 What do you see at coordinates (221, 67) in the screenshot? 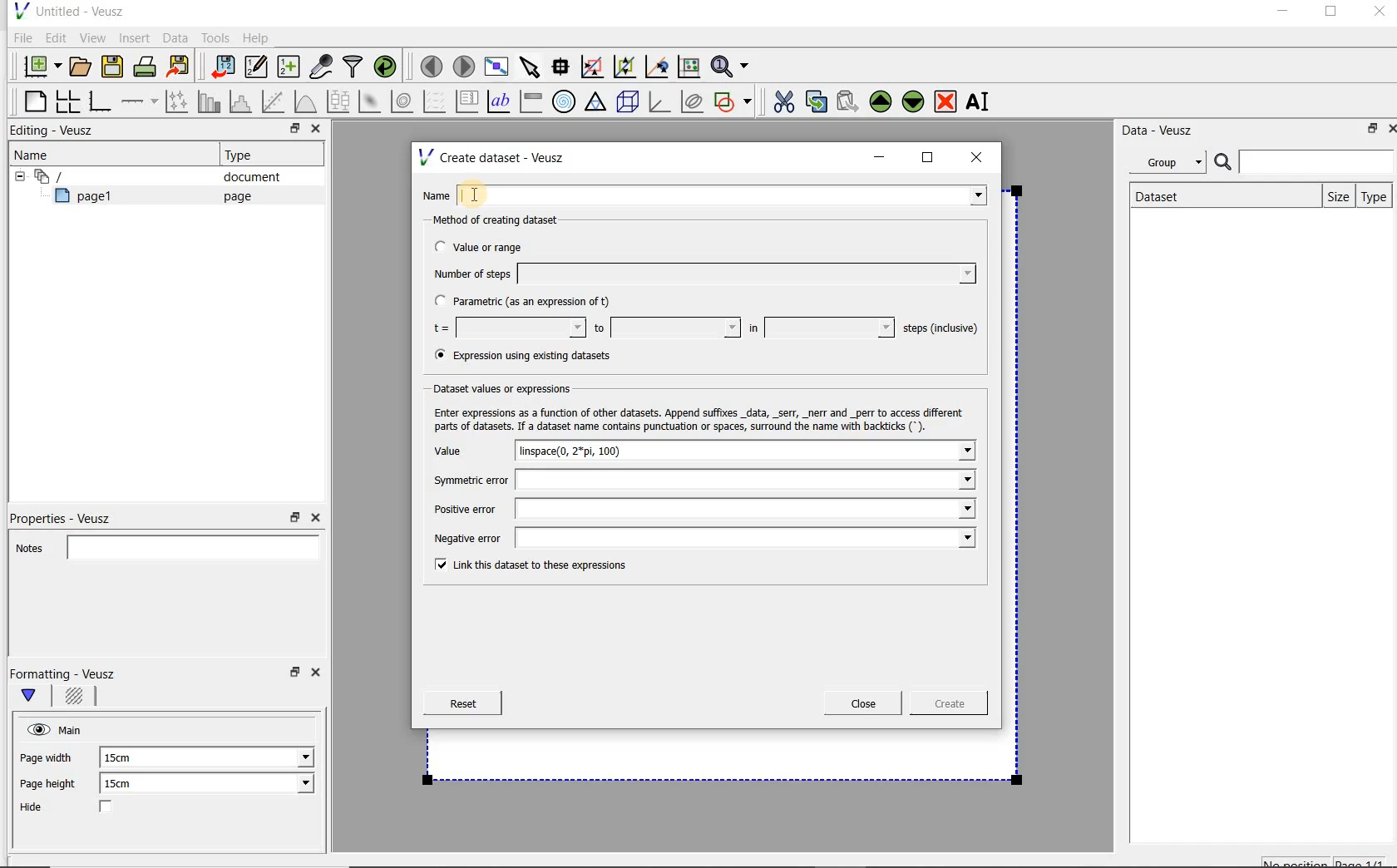
I see `import data into Veusz` at bounding box center [221, 67].